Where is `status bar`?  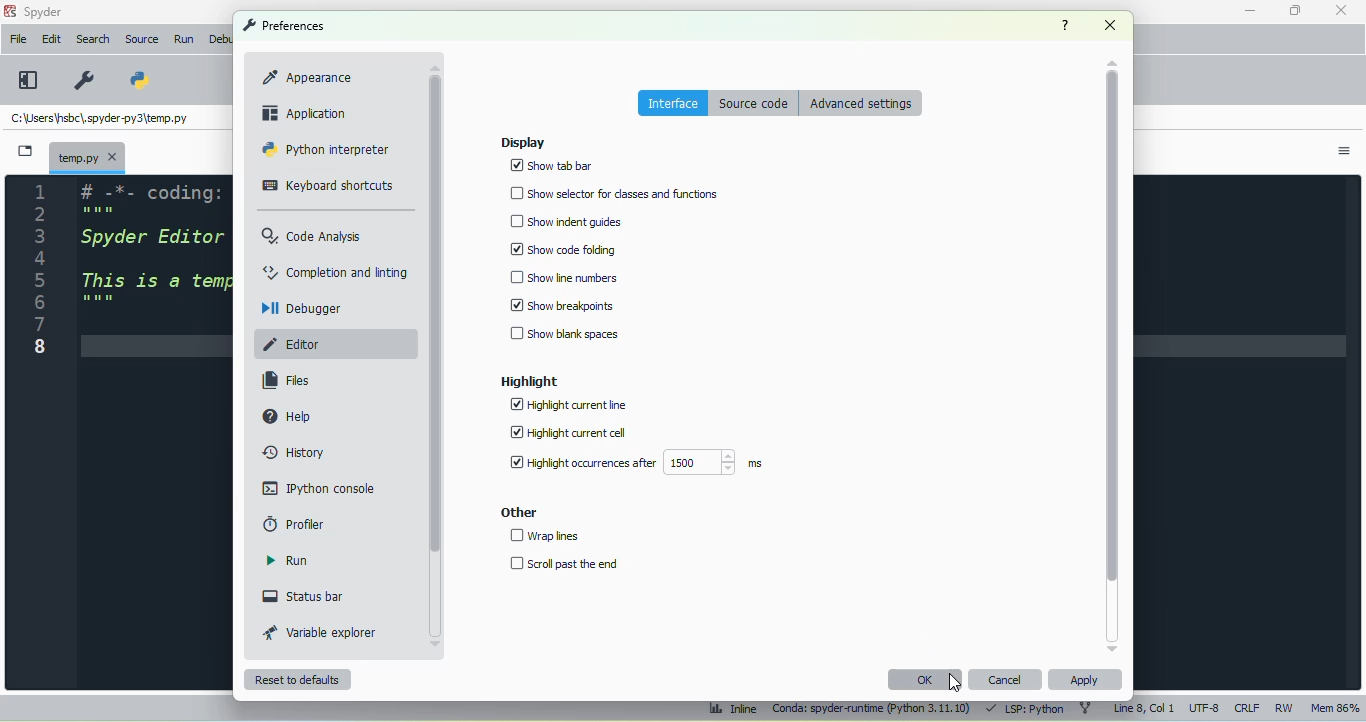
status bar is located at coordinates (305, 596).